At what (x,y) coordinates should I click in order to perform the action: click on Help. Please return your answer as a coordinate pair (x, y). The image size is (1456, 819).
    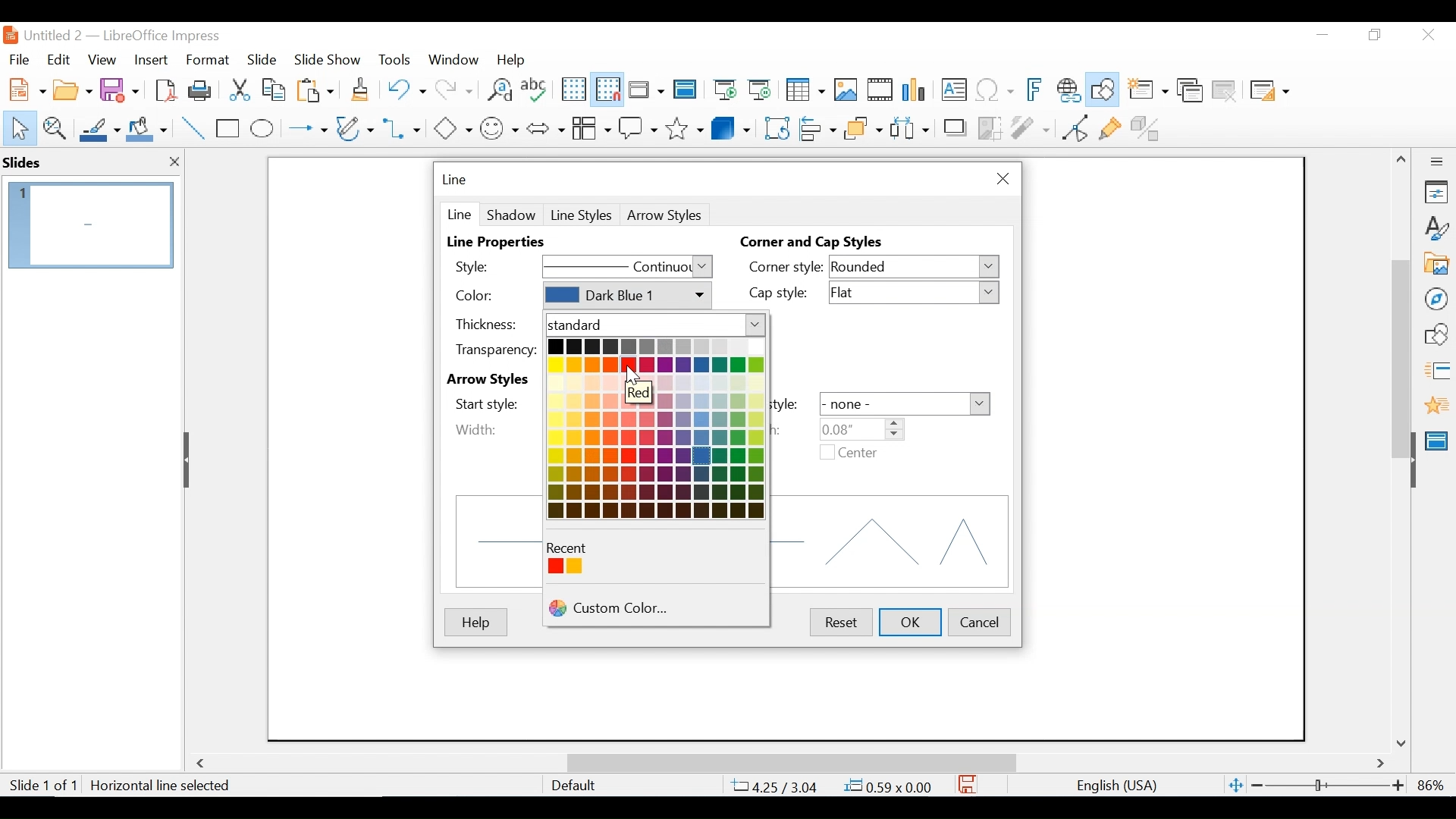
    Looking at the image, I should click on (515, 59).